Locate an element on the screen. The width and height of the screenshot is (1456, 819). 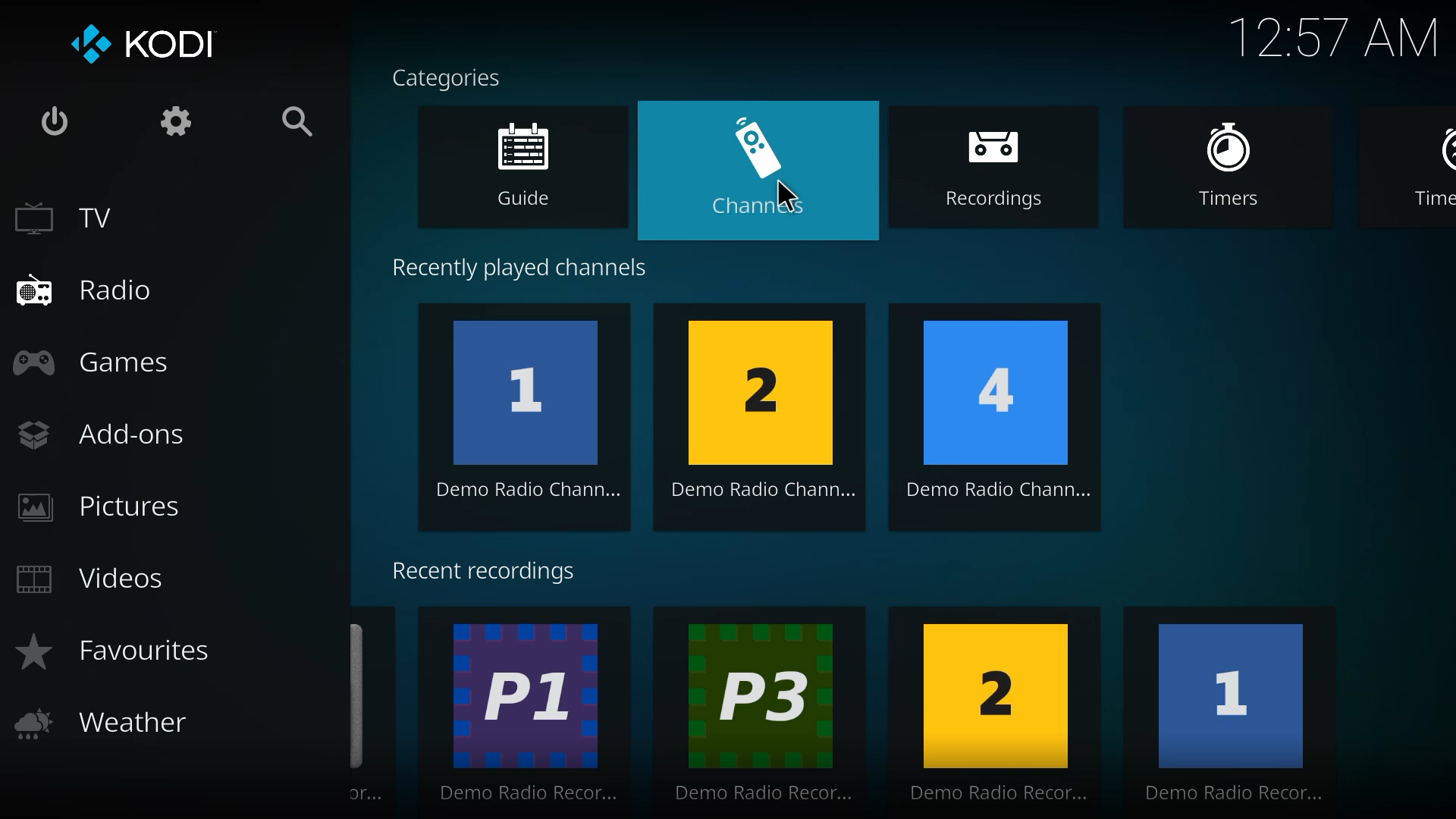
guide is located at coordinates (537, 168).